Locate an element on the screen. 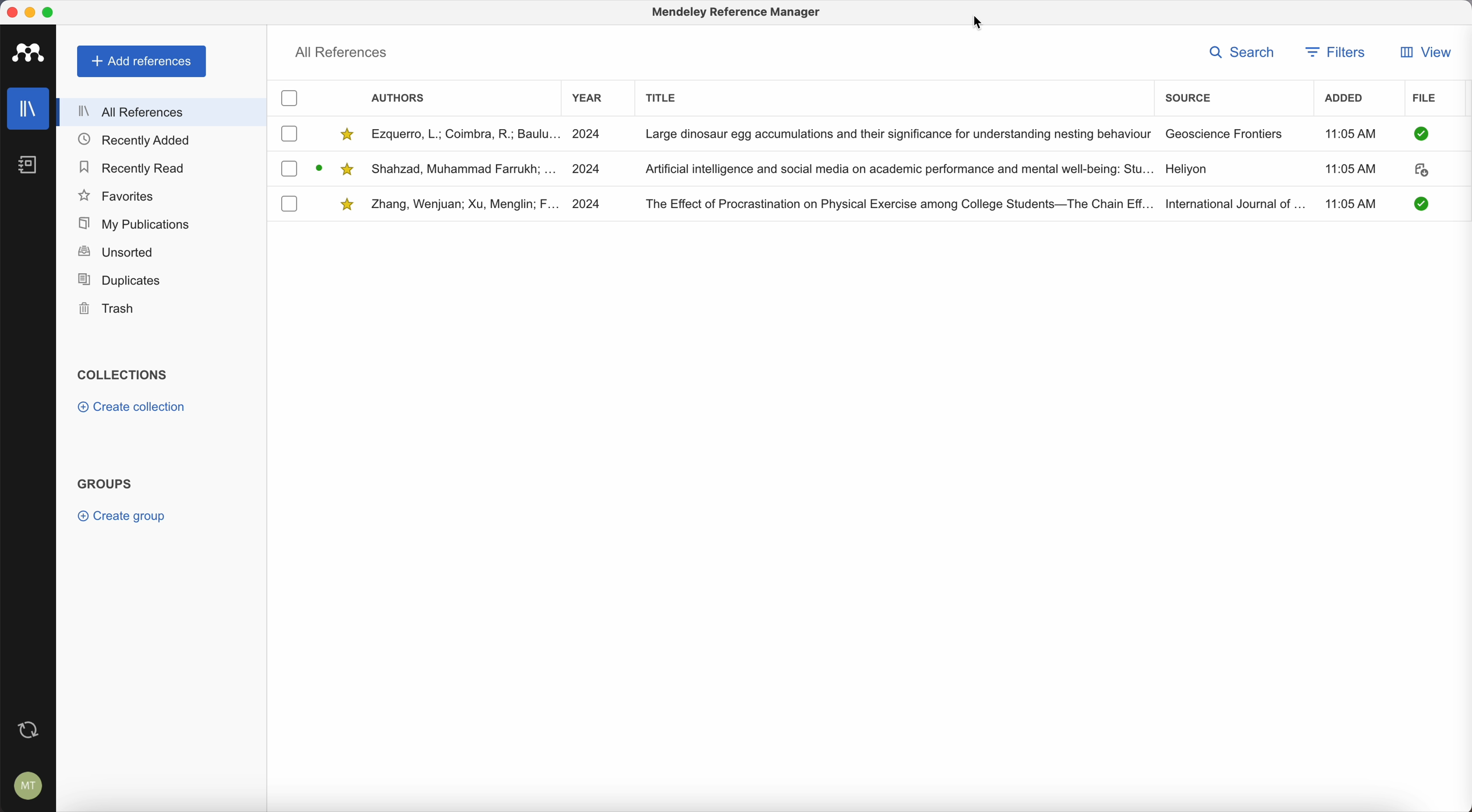 The image size is (1472, 812). notebook is located at coordinates (34, 166).